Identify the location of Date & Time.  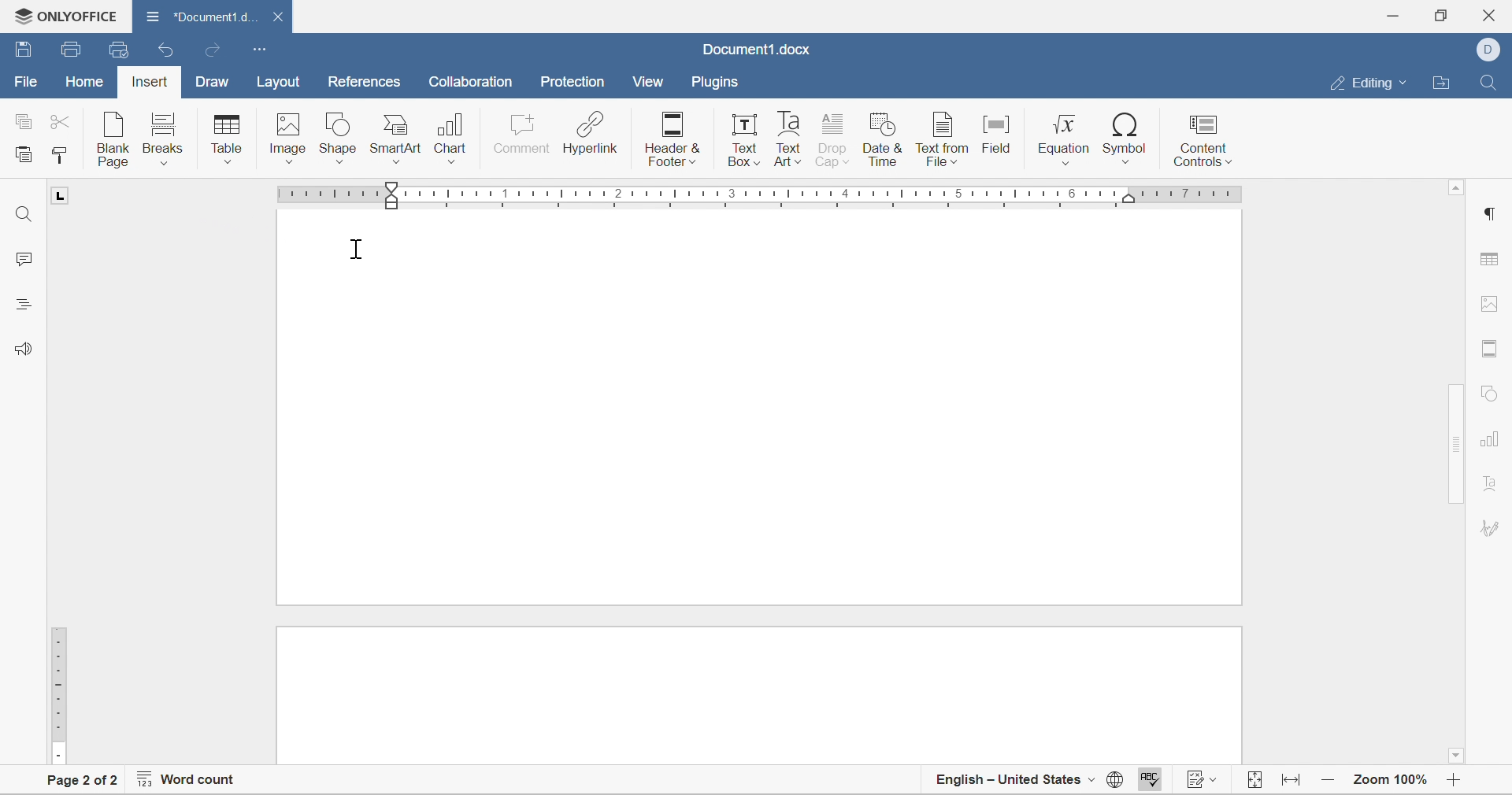
(885, 142).